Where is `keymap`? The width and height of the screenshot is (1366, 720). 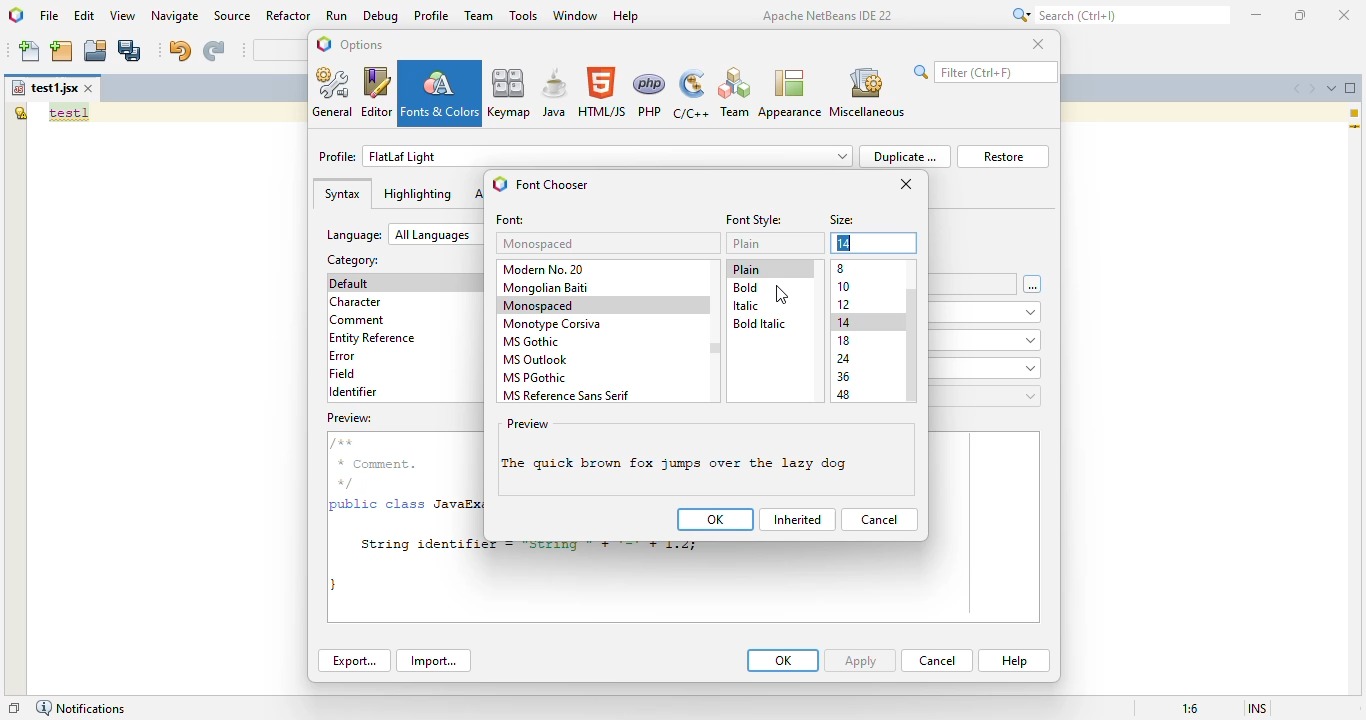
keymap is located at coordinates (509, 92).